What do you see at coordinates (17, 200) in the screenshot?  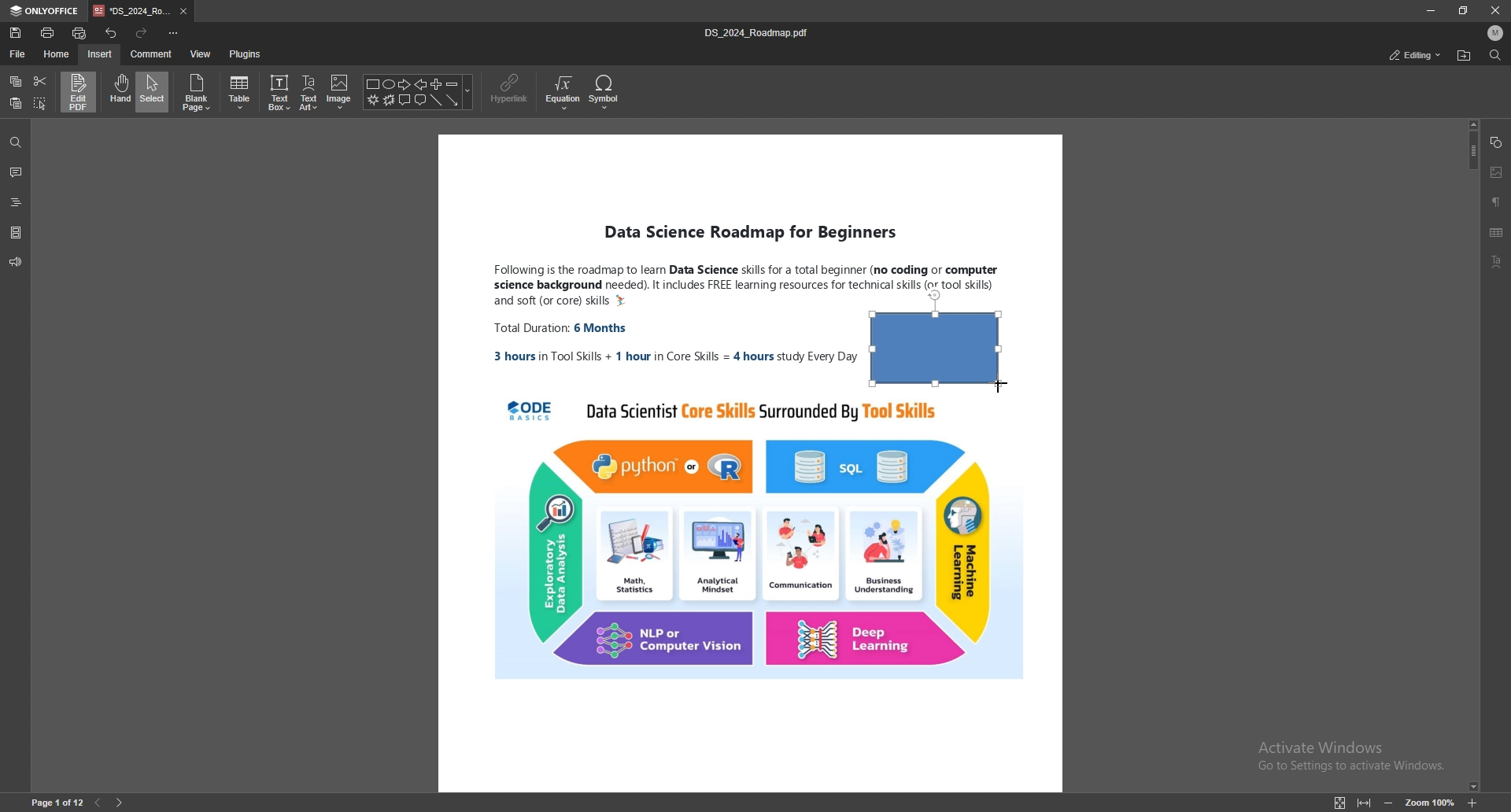 I see `headings` at bounding box center [17, 200].